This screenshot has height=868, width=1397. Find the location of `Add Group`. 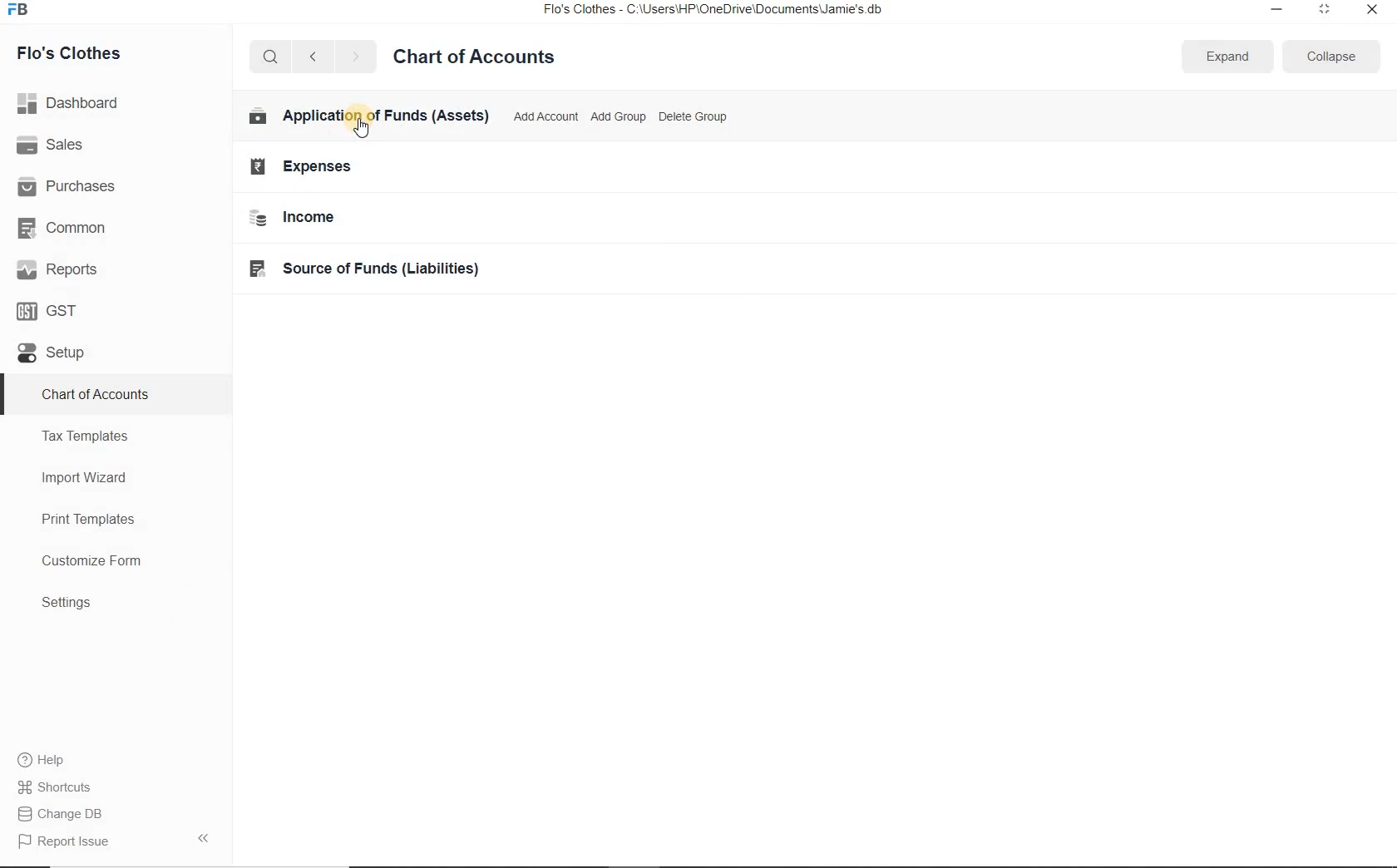

Add Group is located at coordinates (617, 115).